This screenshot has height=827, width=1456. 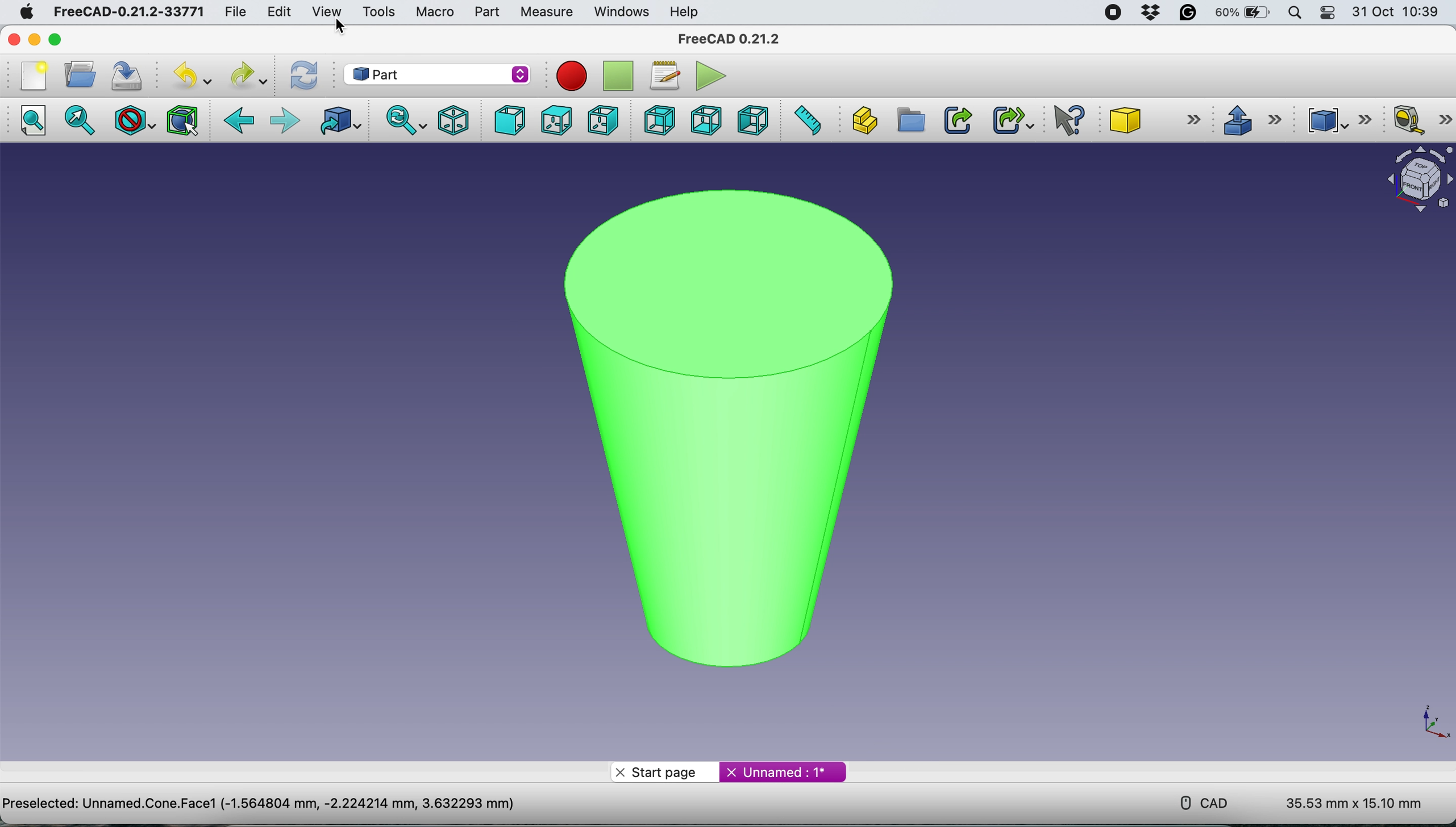 What do you see at coordinates (83, 121) in the screenshot?
I see `fit selection` at bounding box center [83, 121].